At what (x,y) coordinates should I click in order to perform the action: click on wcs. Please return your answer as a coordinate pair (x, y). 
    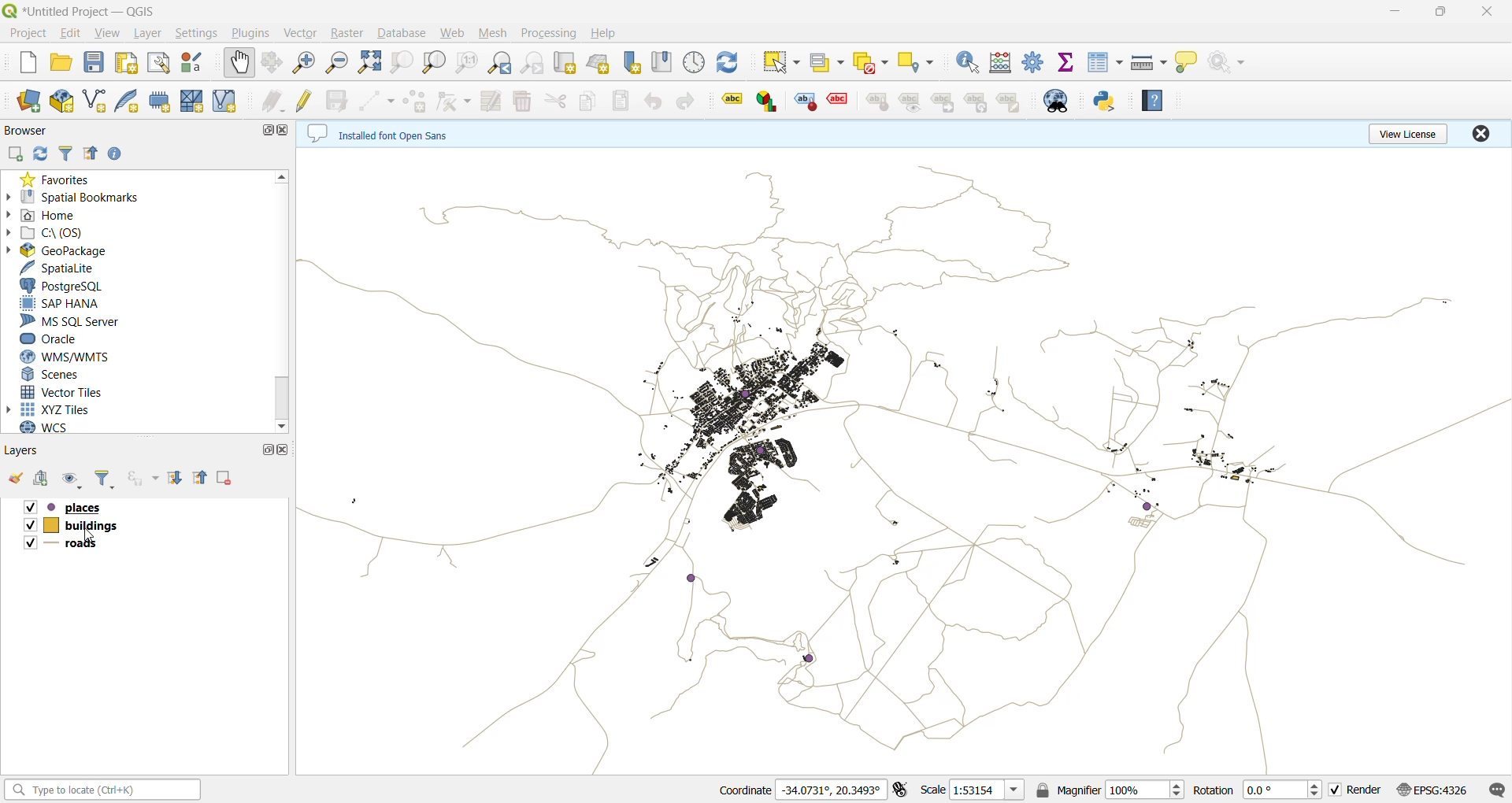
    Looking at the image, I should click on (54, 429).